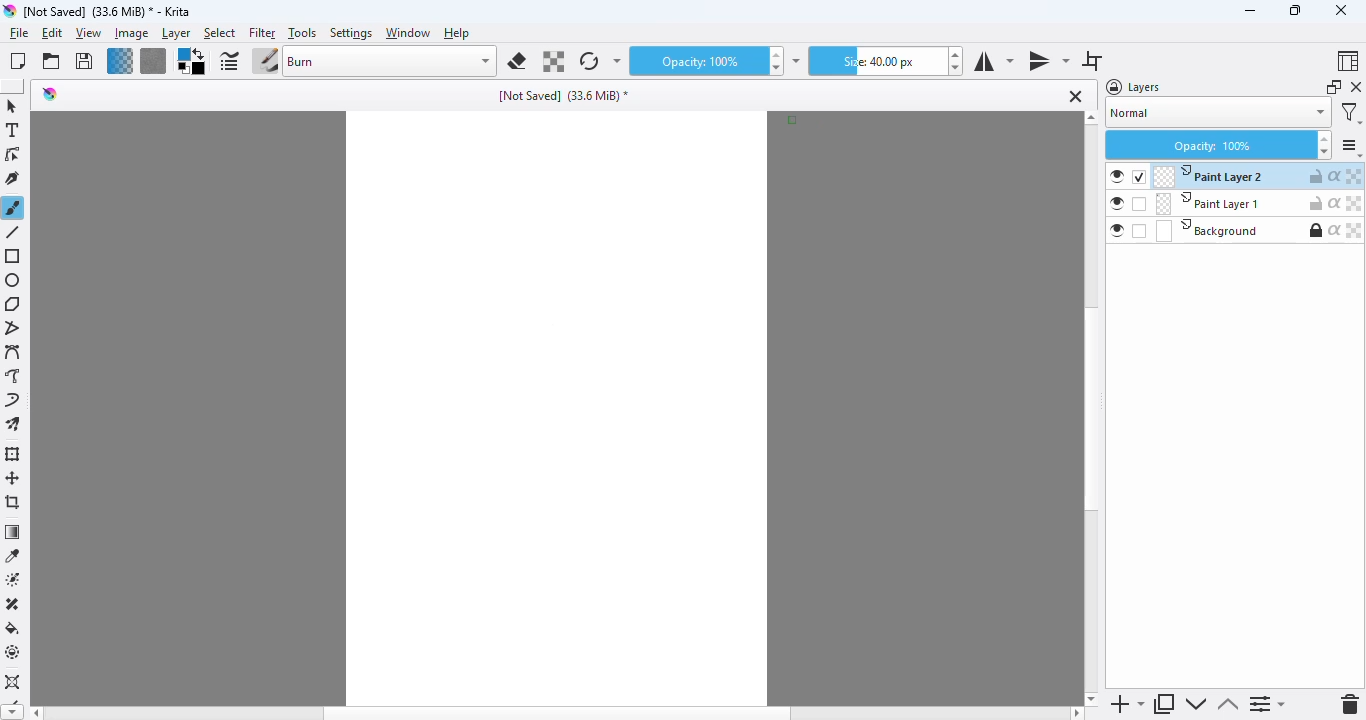  Describe the element at coordinates (14, 353) in the screenshot. I see `bezier curve tool` at that location.